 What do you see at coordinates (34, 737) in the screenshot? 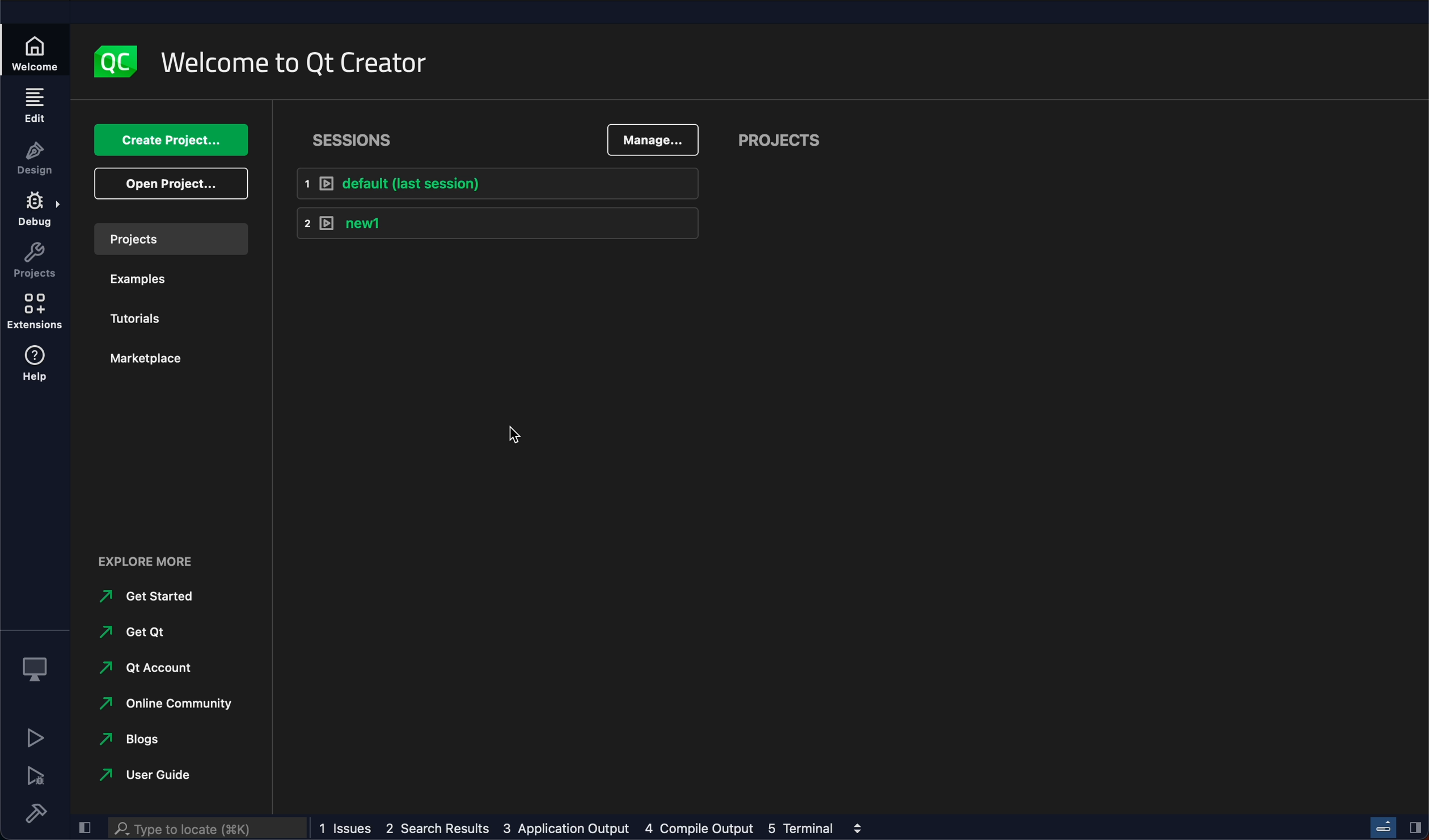
I see `run` at bounding box center [34, 737].